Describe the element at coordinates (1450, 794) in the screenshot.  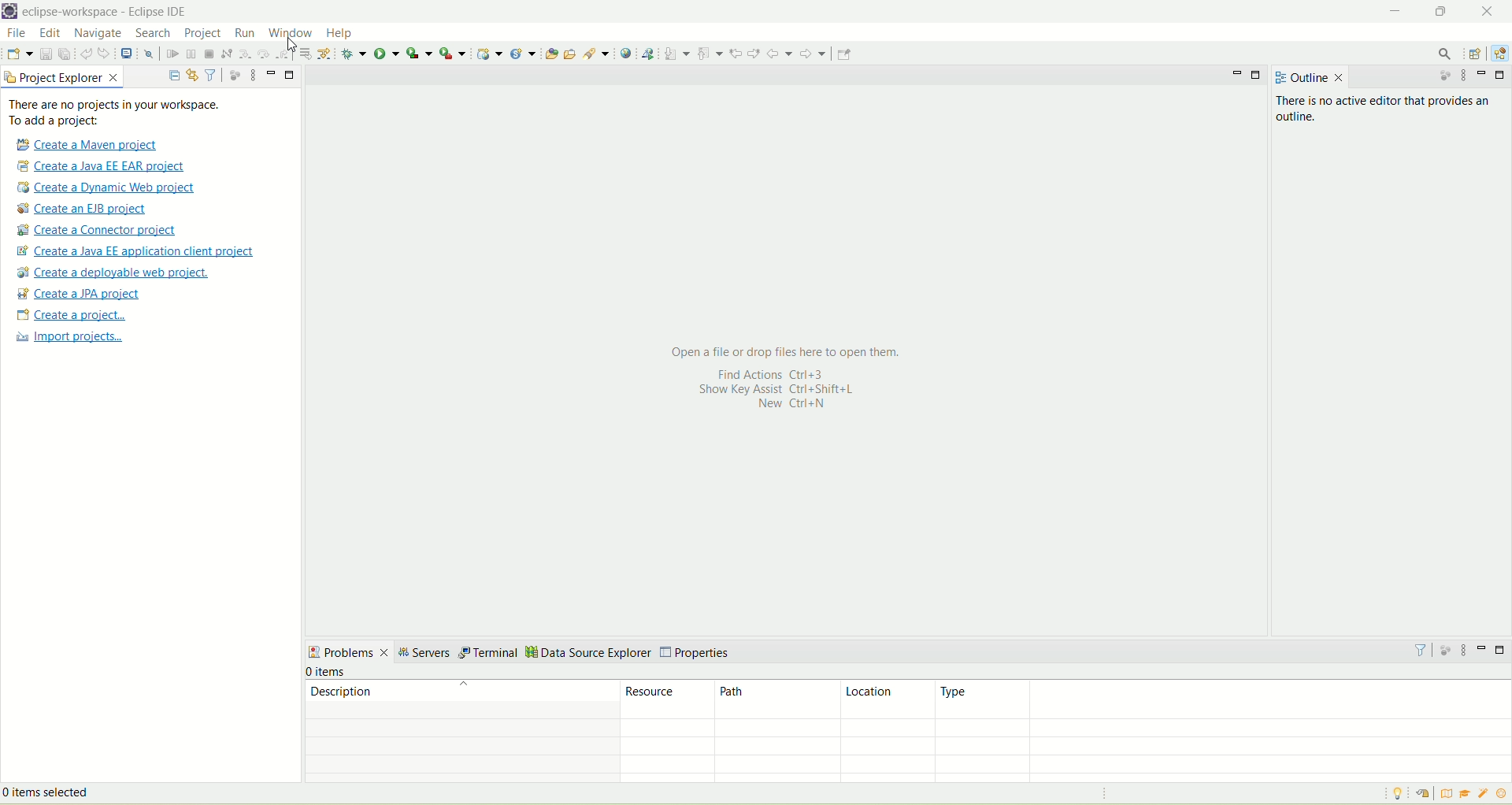
I see `overview` at that location.